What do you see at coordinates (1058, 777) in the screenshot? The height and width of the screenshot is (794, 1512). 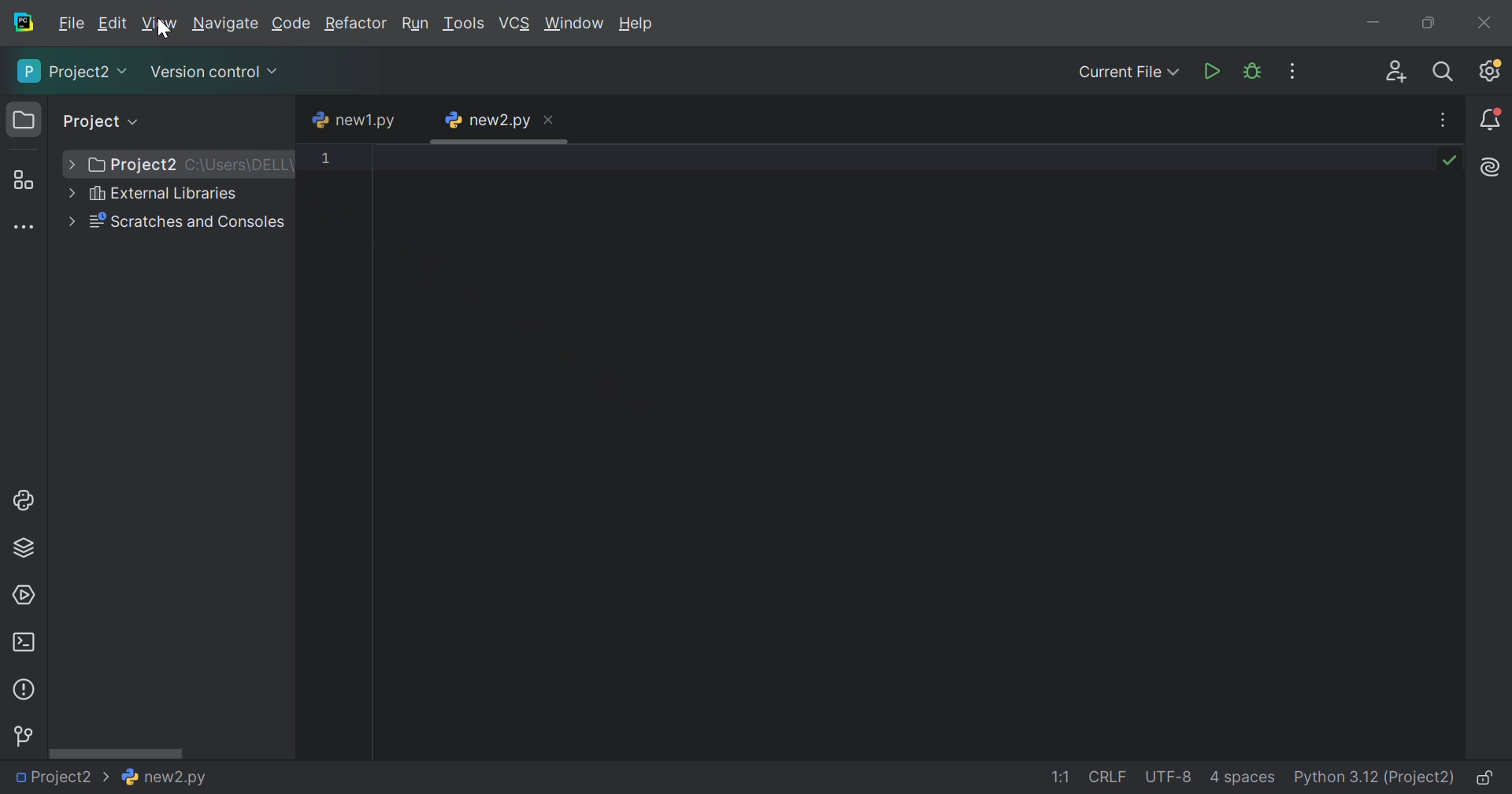 I see `1:1` at bounding box center [1058, 777].